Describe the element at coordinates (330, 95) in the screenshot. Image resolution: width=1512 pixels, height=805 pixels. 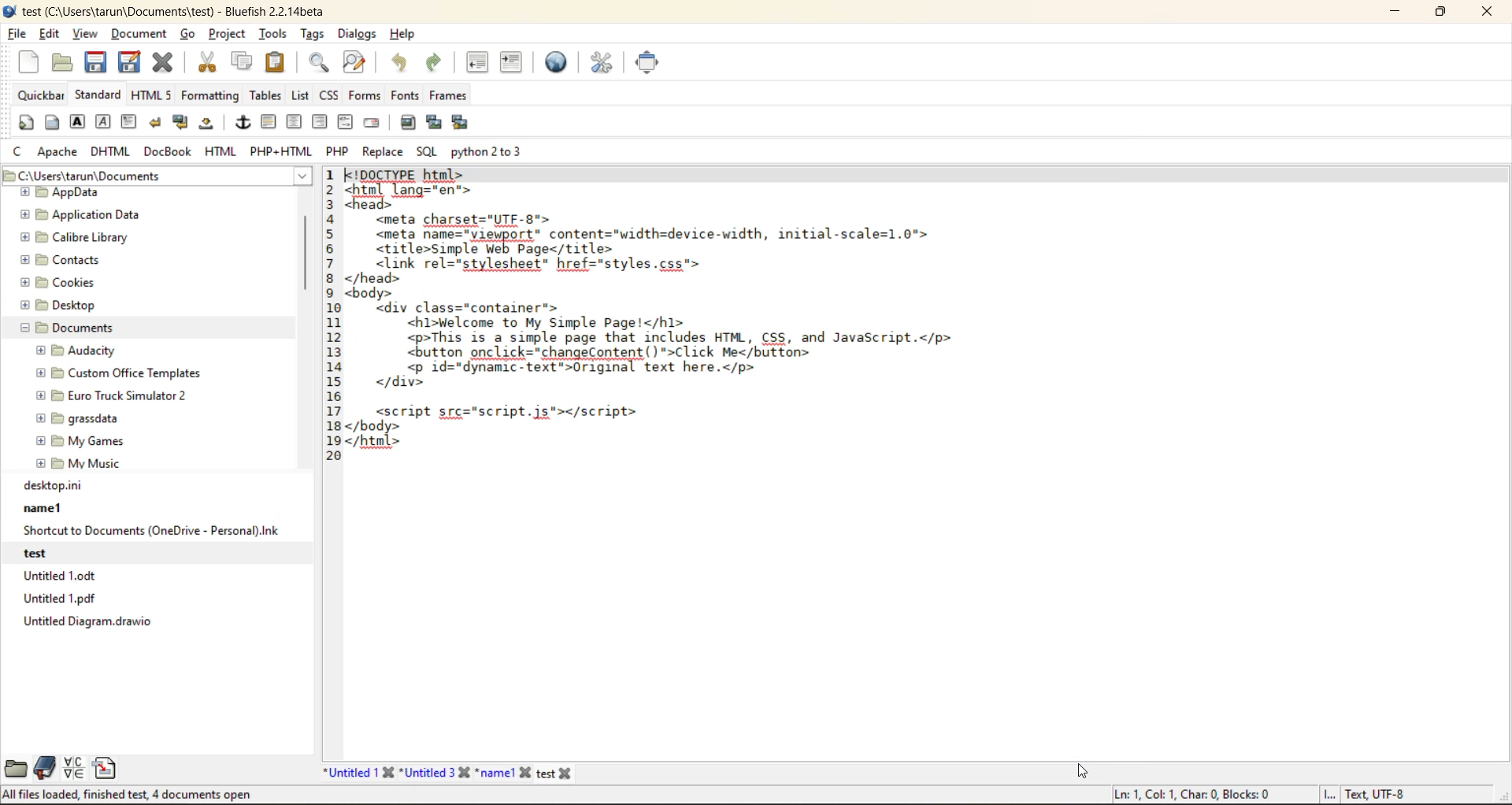
I see `css` at that location.